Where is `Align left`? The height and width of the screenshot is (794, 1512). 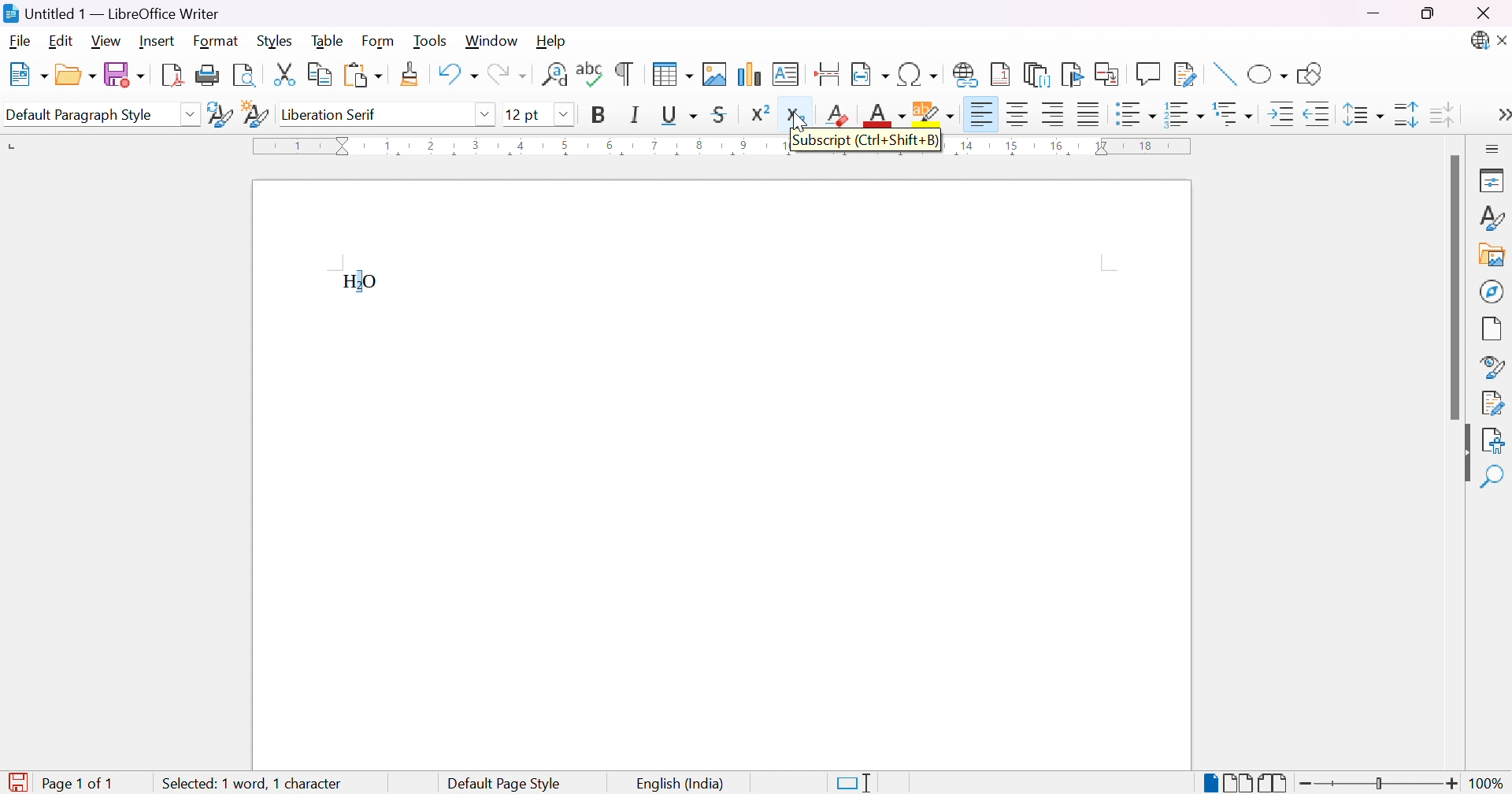 Align left is located at coordinates (981, 116).